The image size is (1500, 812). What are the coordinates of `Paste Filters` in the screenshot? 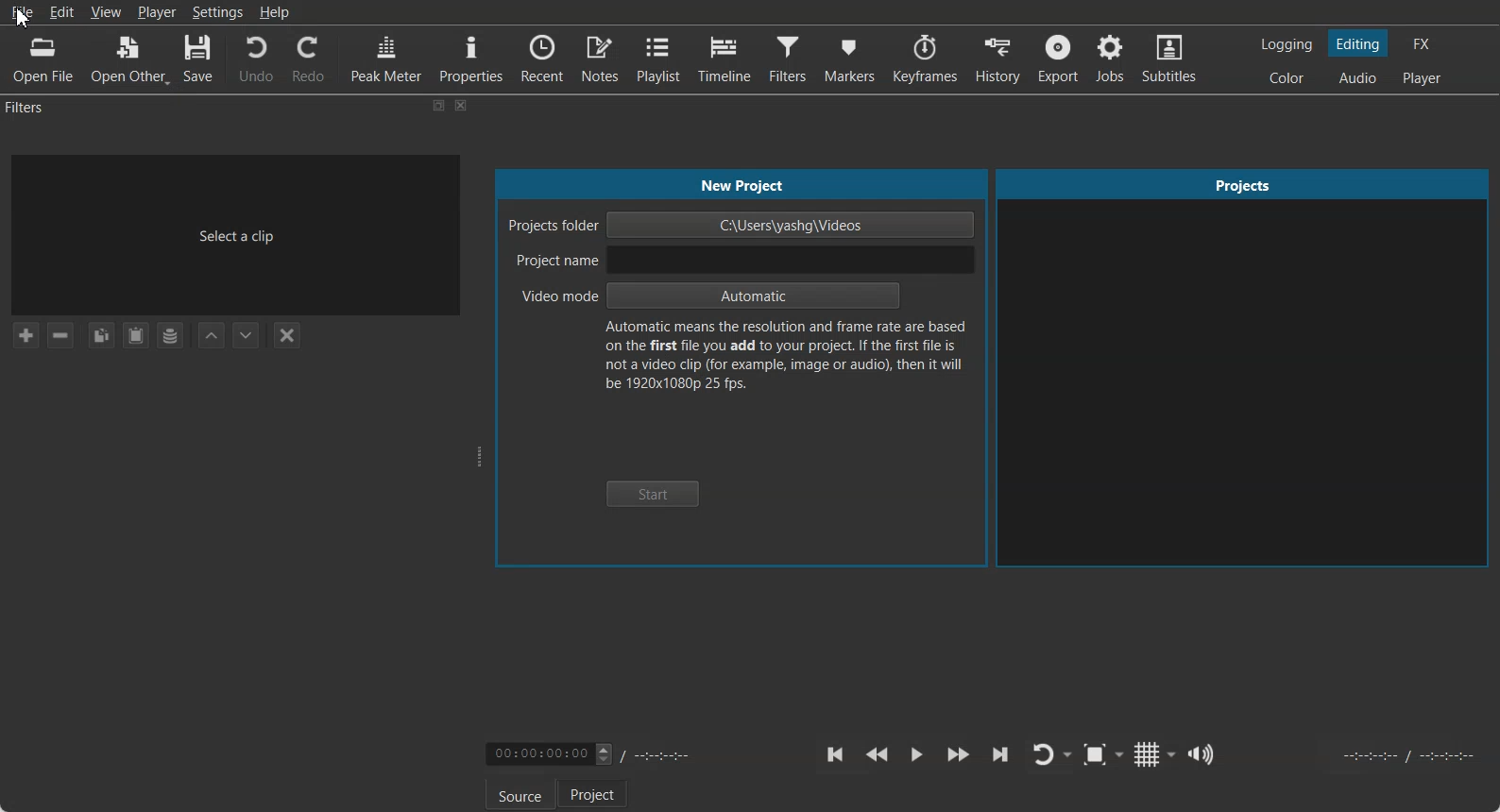 It's located at (136, 336).